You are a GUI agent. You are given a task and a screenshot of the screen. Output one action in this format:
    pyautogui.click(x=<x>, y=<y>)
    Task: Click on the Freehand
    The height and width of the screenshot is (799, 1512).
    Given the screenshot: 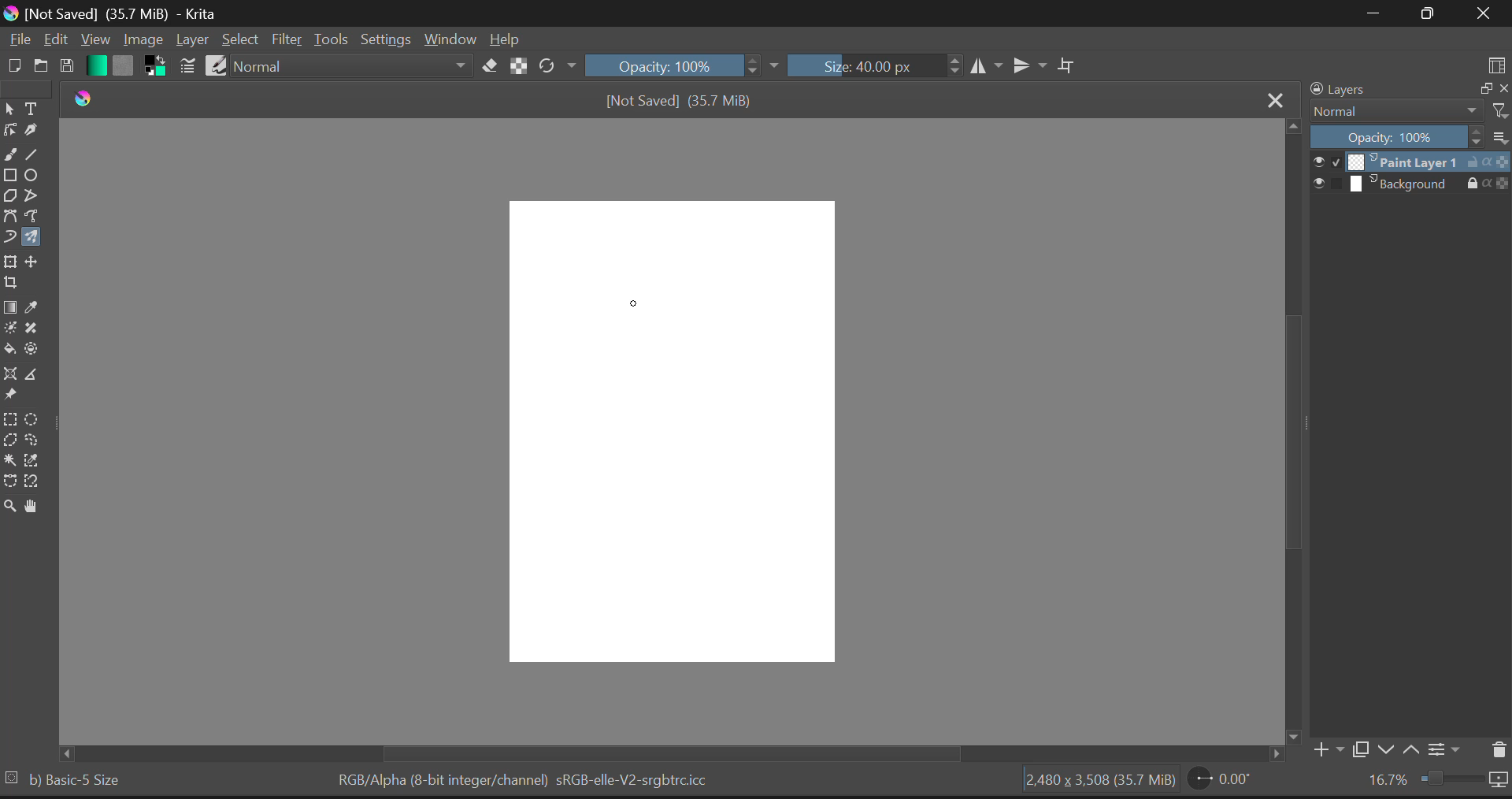 What is the action you would take?
    pyautogui.click(x=9, y=153)
    